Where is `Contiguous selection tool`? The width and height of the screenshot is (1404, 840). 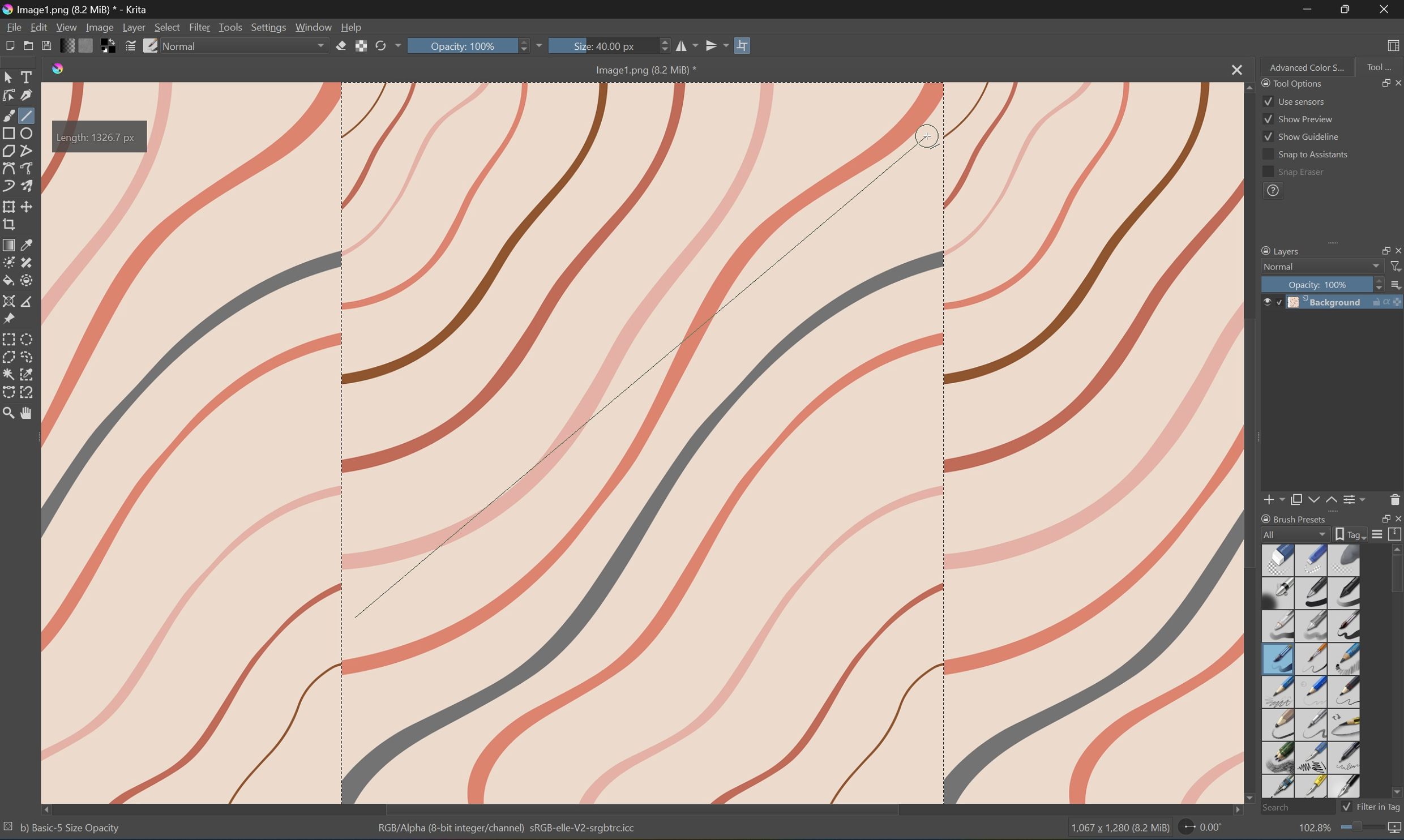 Contiguous selection tool is located at coordinates (9, 374).